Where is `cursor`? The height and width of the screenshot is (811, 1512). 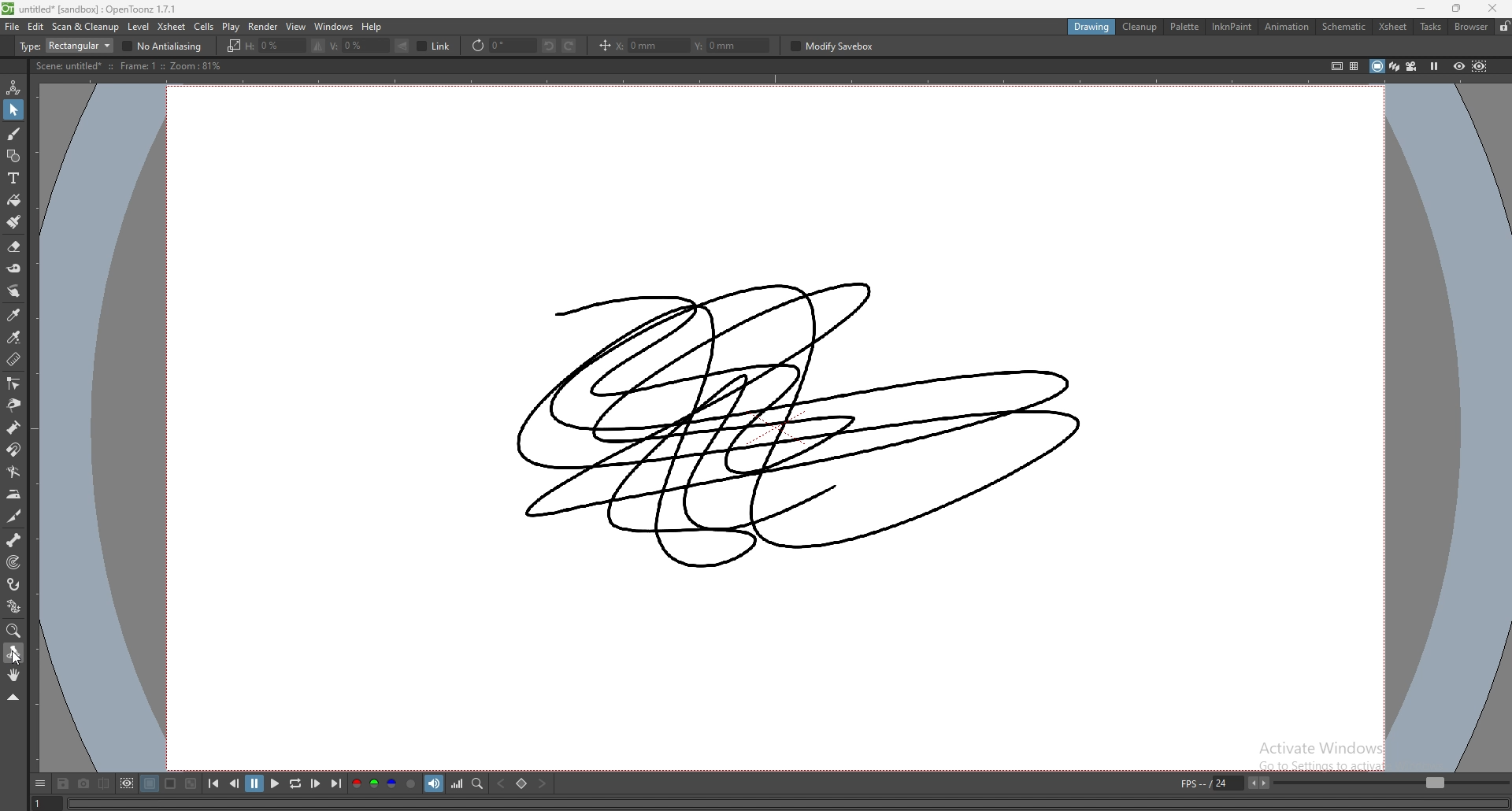 cursor is located at coordinates (19, 659).